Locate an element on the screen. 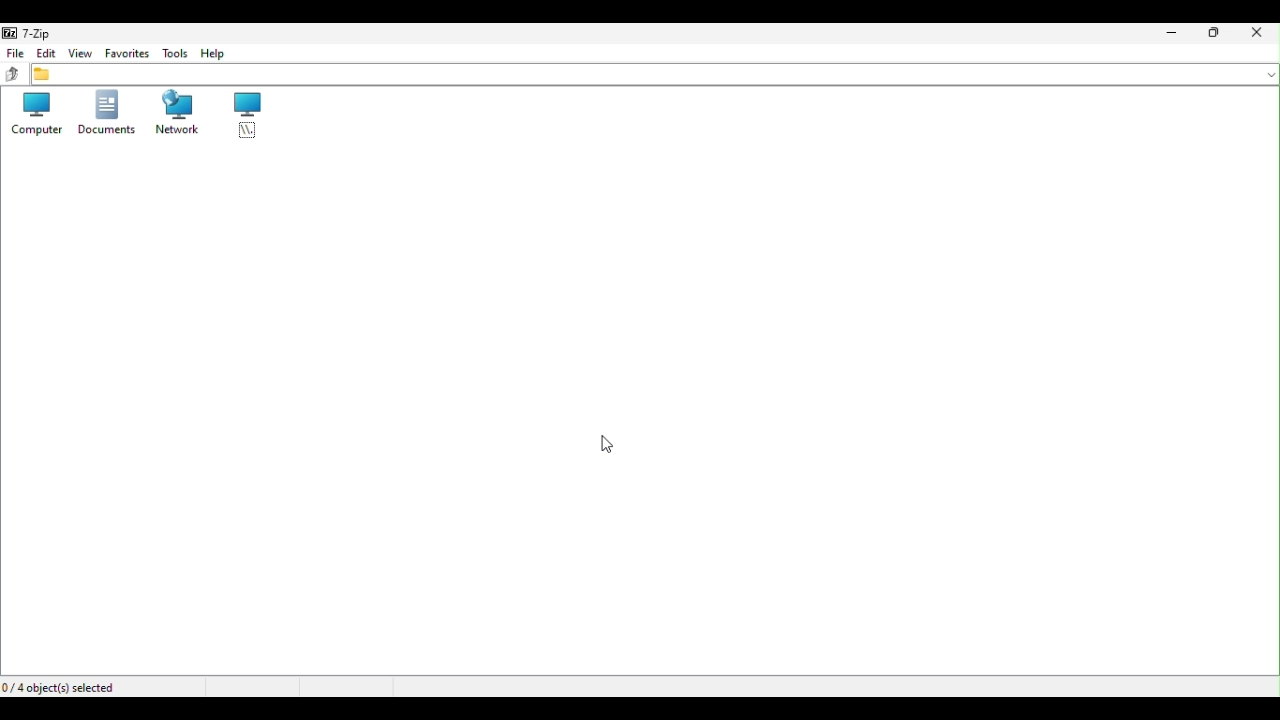  Computer is located at coordinates (33, 114).